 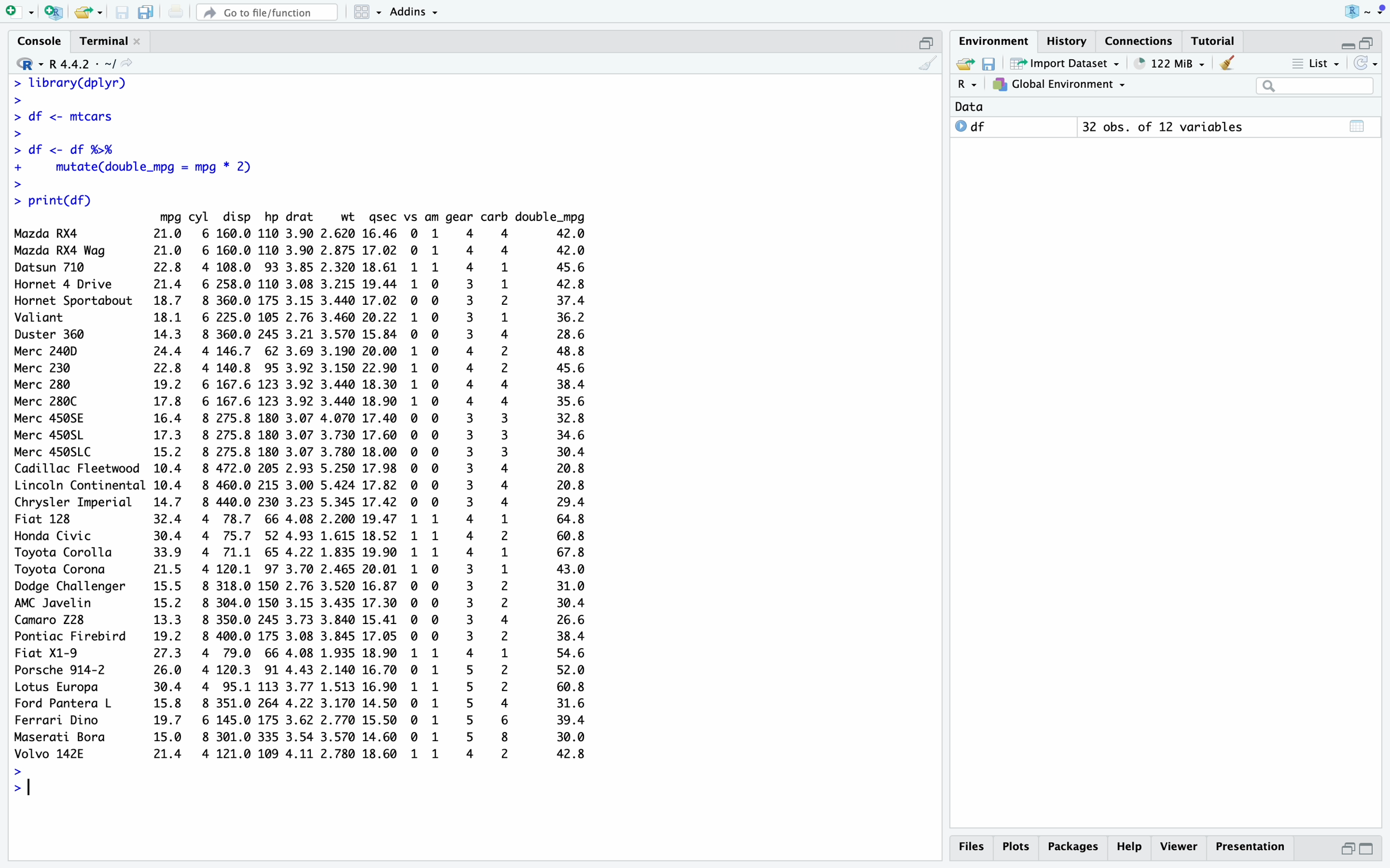 What do you see at coordinates (1140, 41) in the screenshot?
I see `connections` at bounding box center [1140, 41].